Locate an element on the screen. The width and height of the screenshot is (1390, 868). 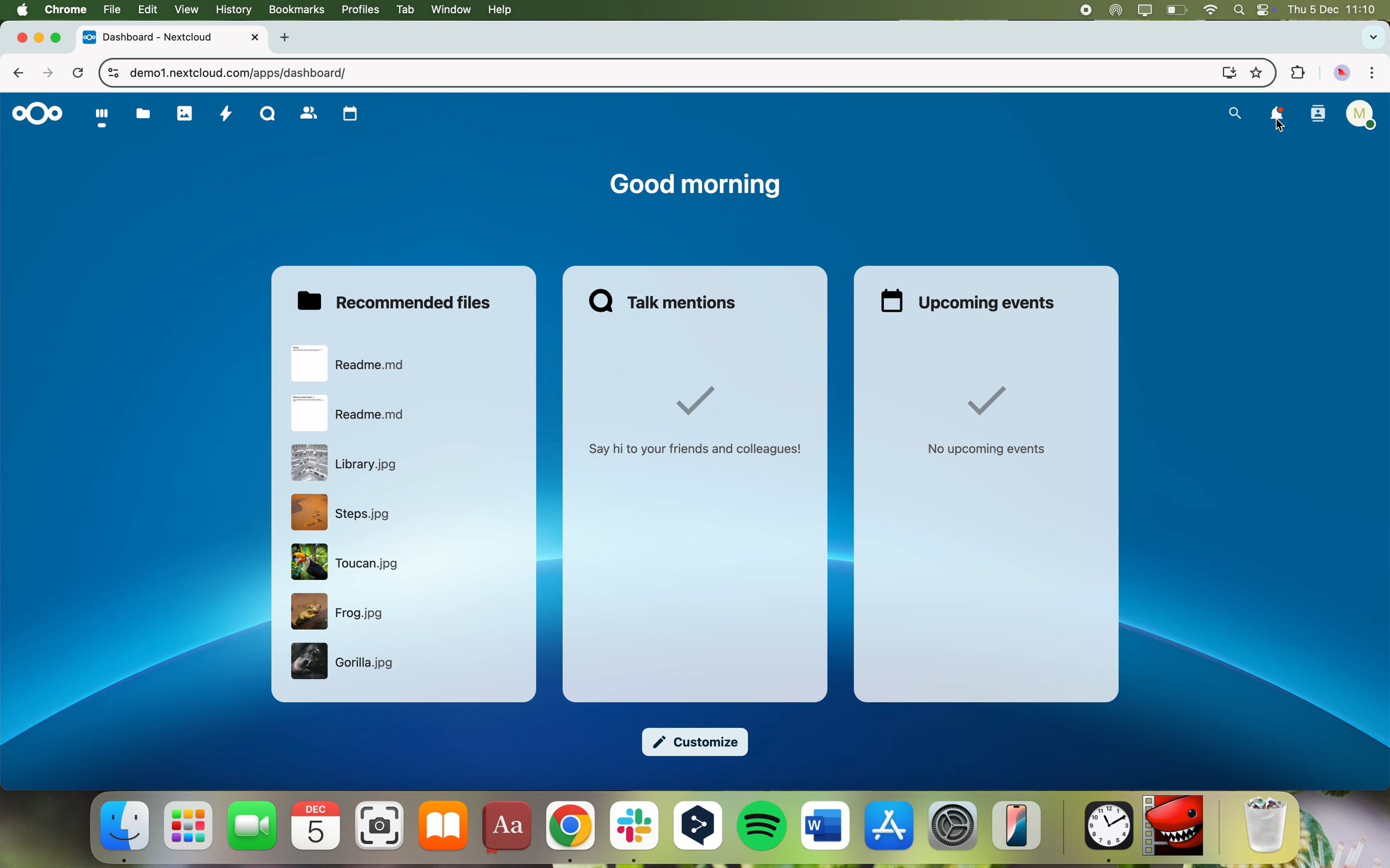
tab is located at coordinates (403, 10).